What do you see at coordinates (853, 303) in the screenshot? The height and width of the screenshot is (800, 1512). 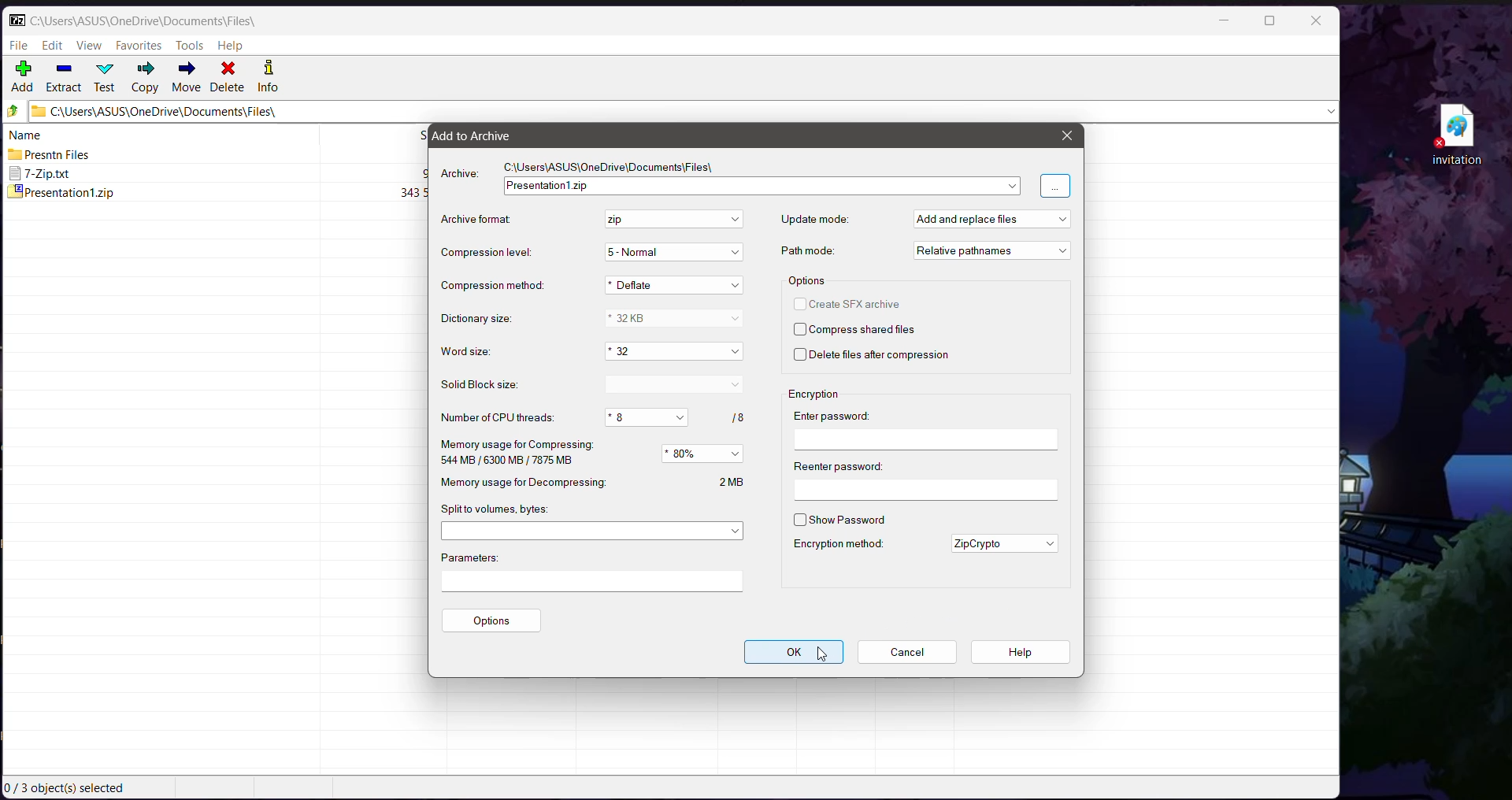 I see `Create SFX archive - click to enable/disable` at bounding box center [853, 303].